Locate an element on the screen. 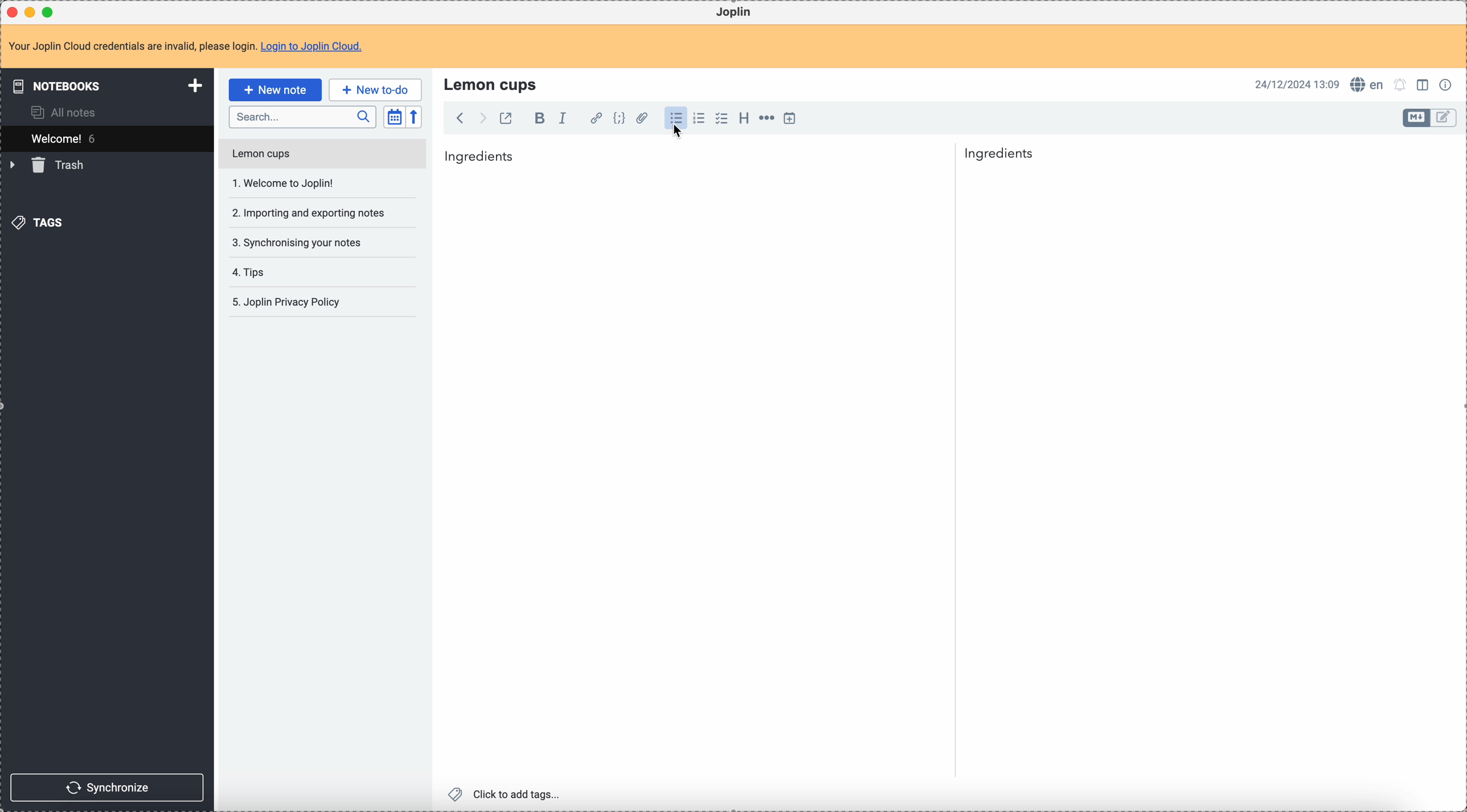  horizontal rule is located at coordinates (765, 120).